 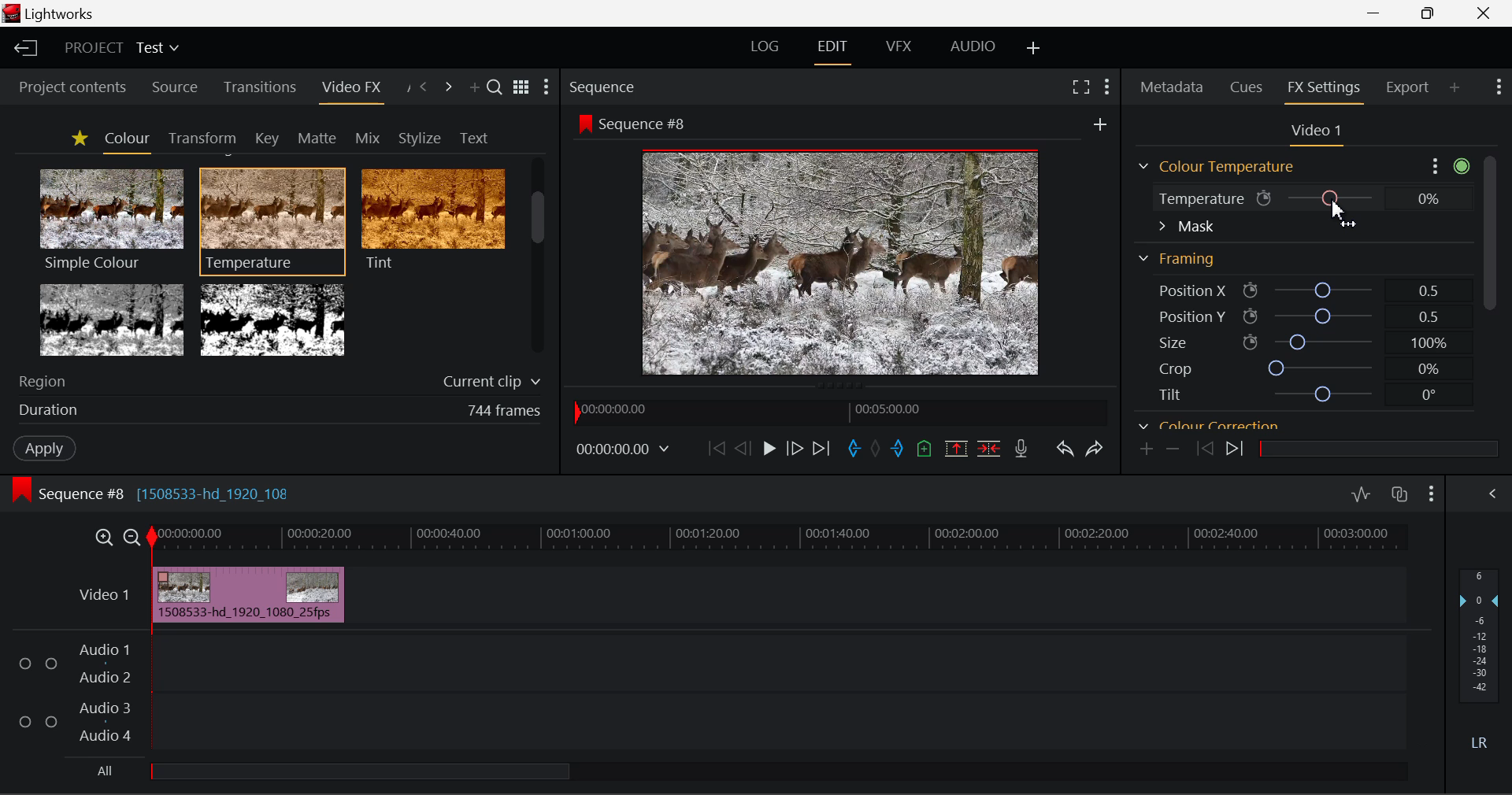 I want to click on EDIT Layout, so click(x=832, y=51).